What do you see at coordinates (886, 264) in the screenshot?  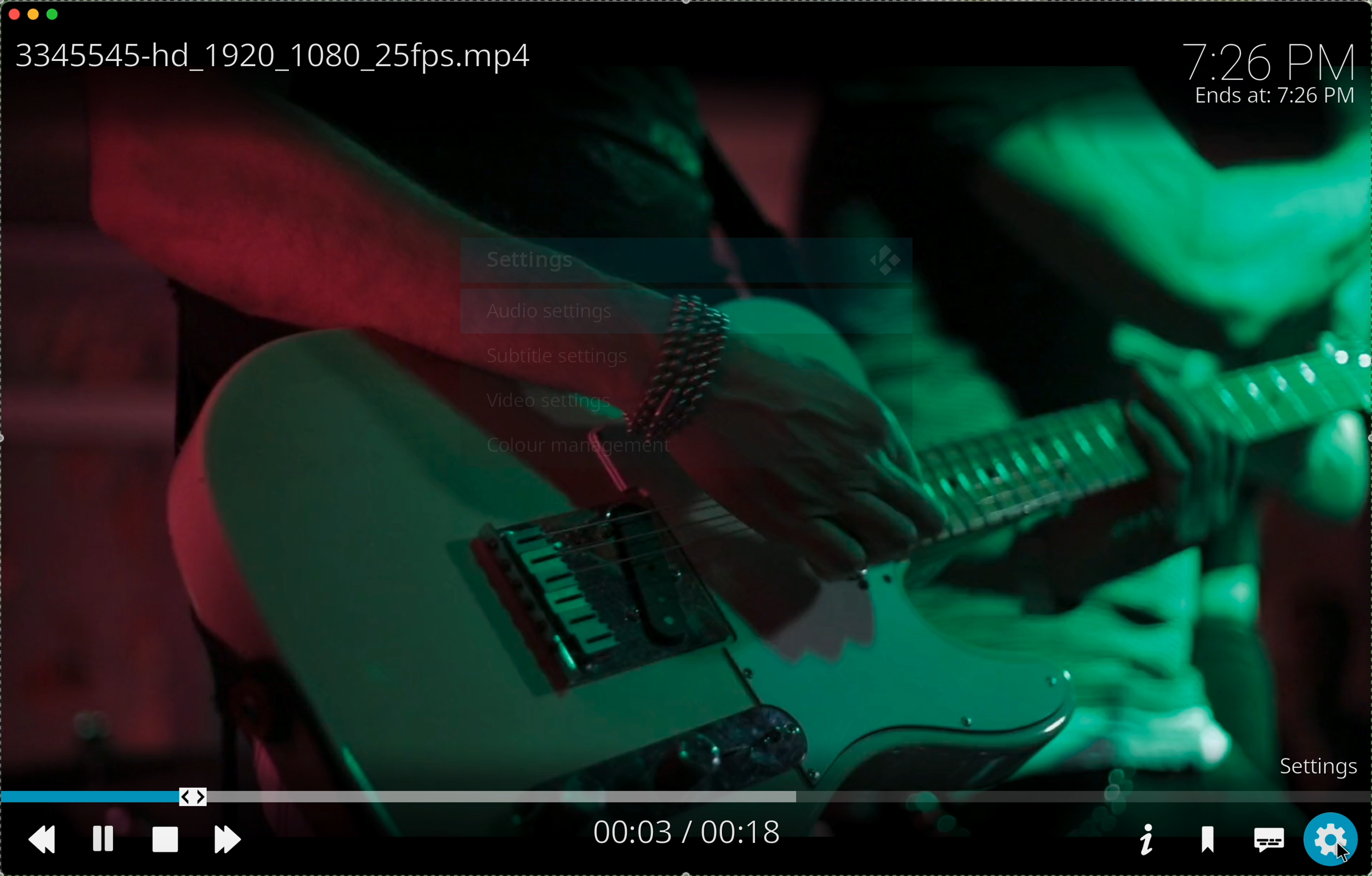 I see `close` at bounding box center [886, 264].